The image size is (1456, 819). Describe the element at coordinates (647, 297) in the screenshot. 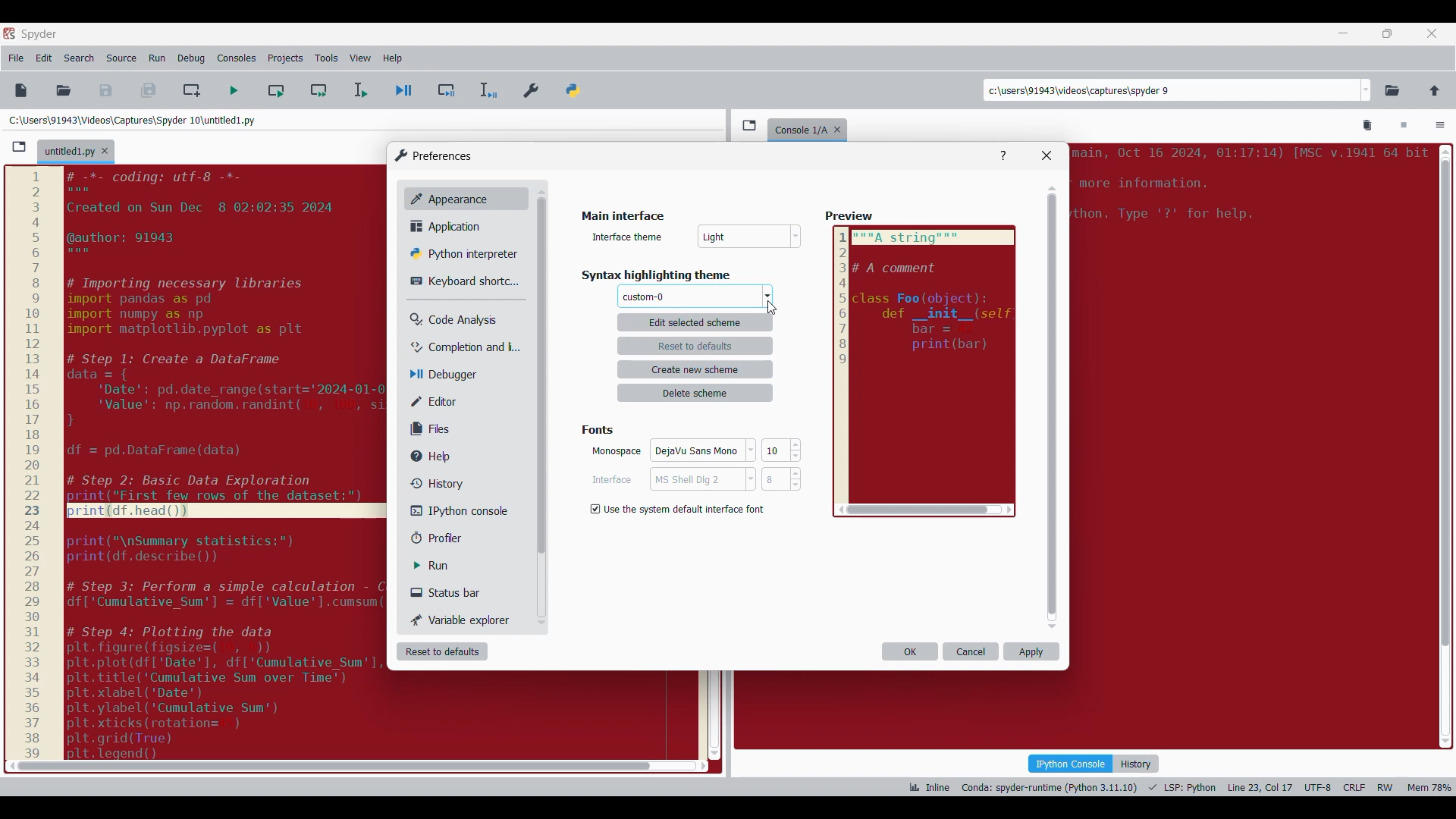

I see `Theme changed to selected theme` at that location.